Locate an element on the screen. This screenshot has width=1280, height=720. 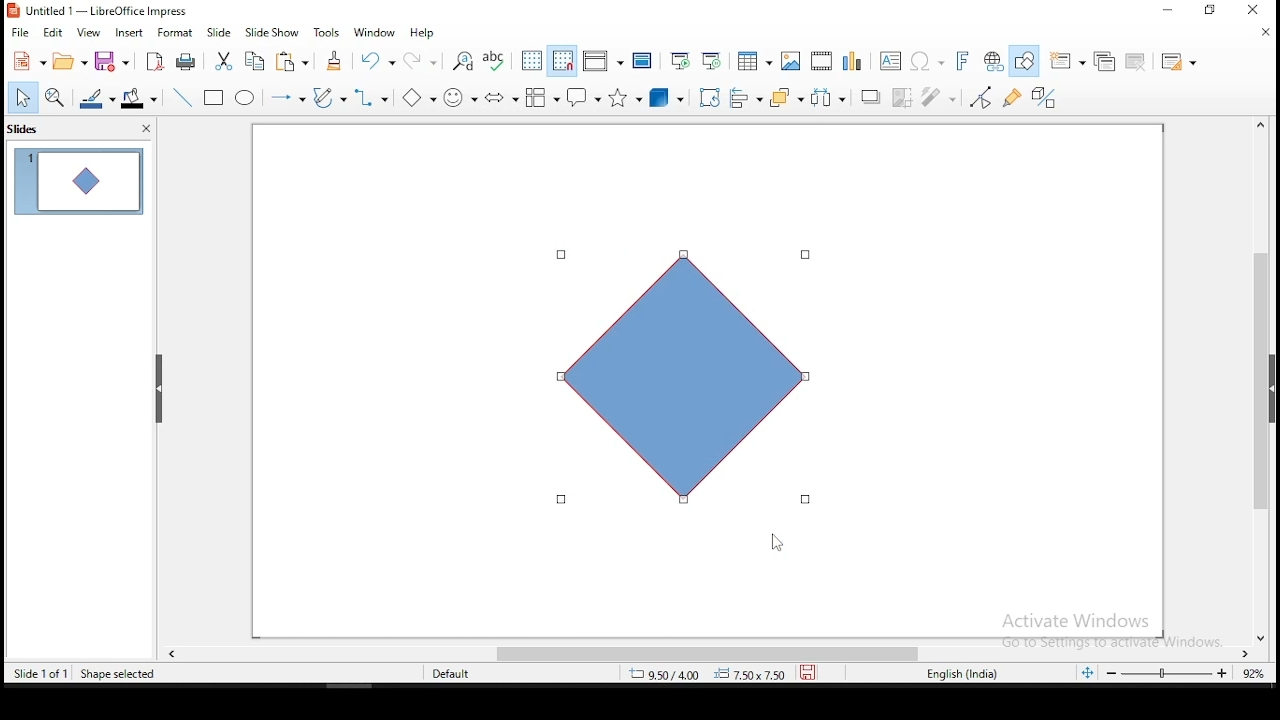
curves and polygons is located at coordinates (329, 98).